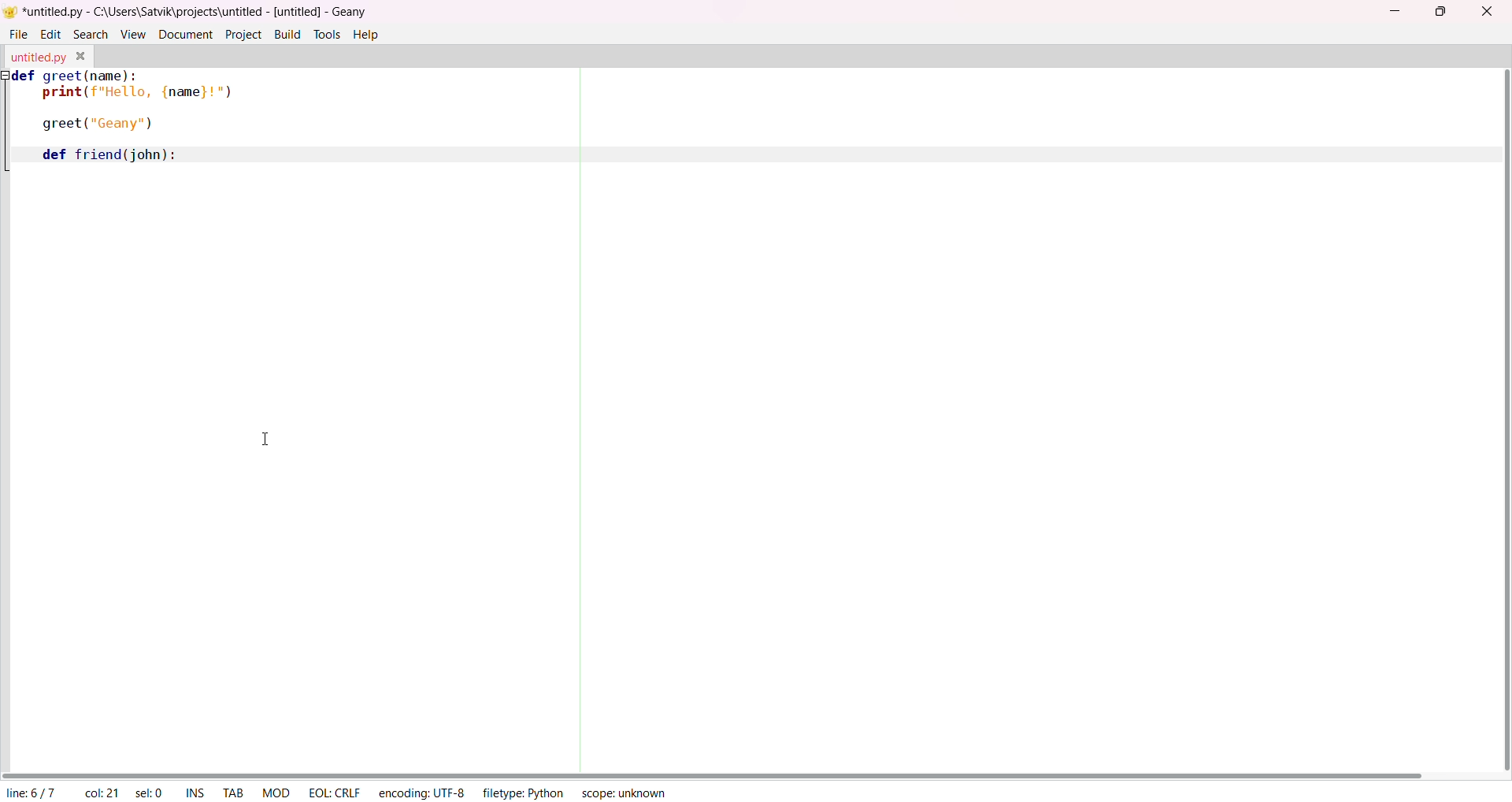 The height and width of the screenshot is (802, 1512). Describe the element at coordinates (261, 436) in the screenshot. I see `cursor` at that location.